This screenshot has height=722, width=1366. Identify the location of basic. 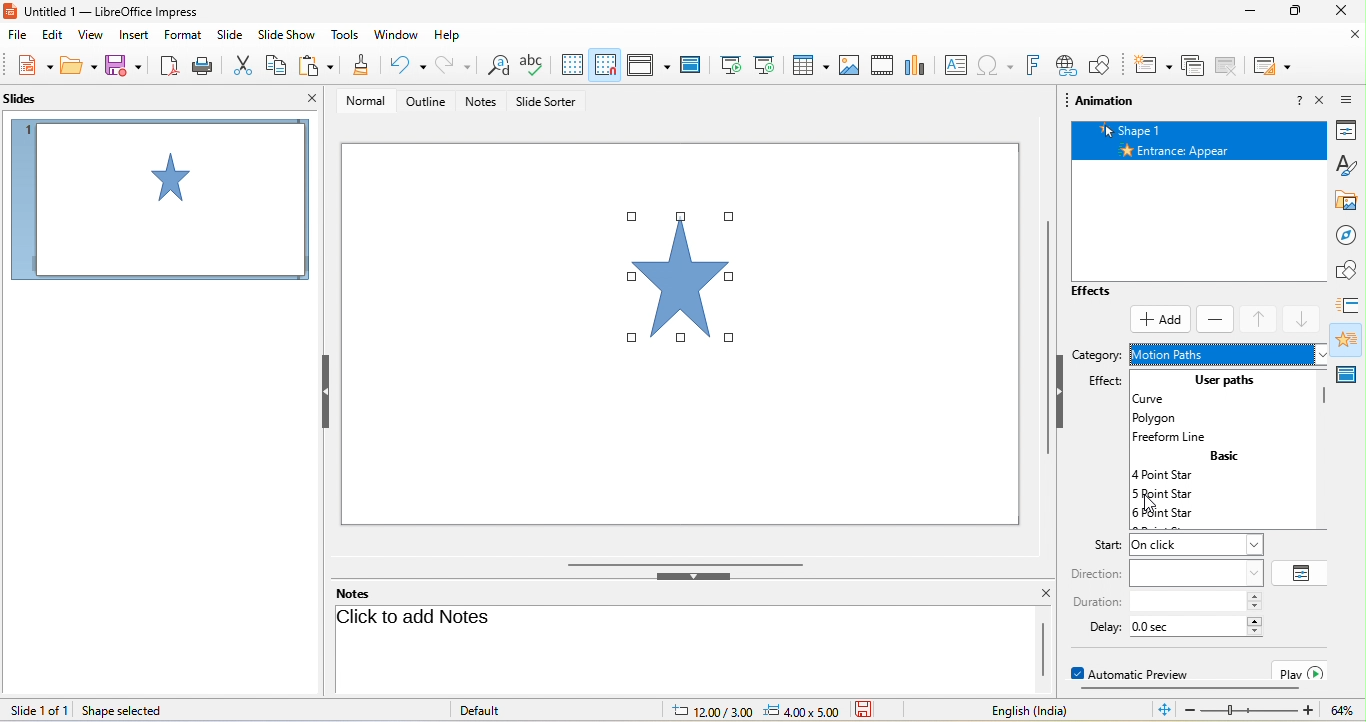
(1222, 457).